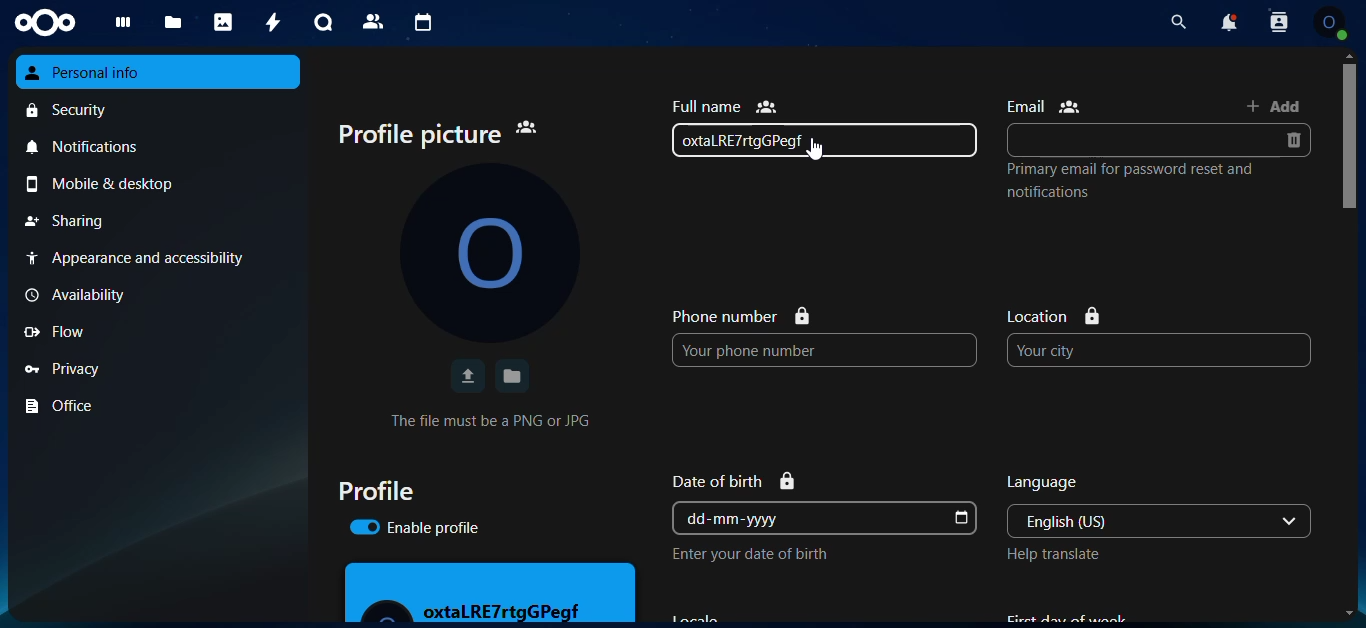  What do you see at coordinates (749, 554) in the screenshot?
I see `Enter your date of birth` at bounding box center [749, 554].